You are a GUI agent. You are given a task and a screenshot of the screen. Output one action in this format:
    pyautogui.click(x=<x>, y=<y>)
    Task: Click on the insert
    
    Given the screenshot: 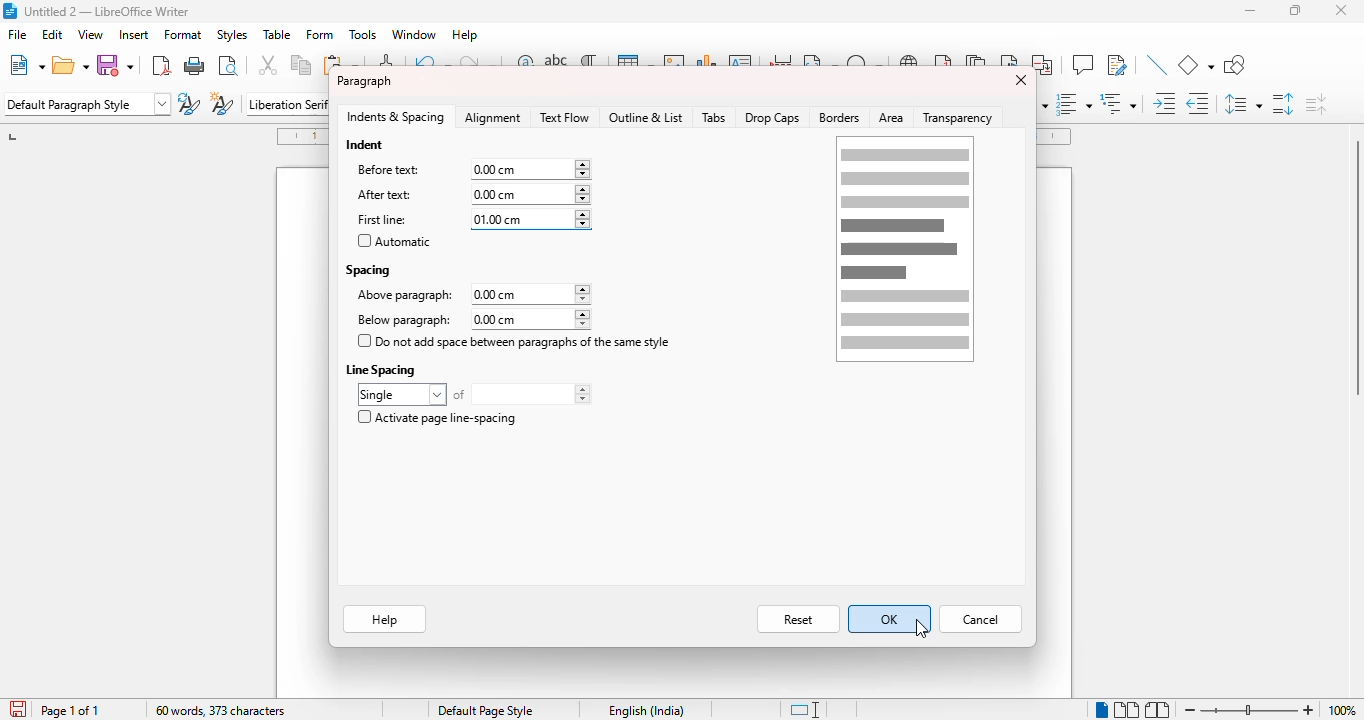 What is the action you would take?
    pyautogui.click(x=132, y=35)
    